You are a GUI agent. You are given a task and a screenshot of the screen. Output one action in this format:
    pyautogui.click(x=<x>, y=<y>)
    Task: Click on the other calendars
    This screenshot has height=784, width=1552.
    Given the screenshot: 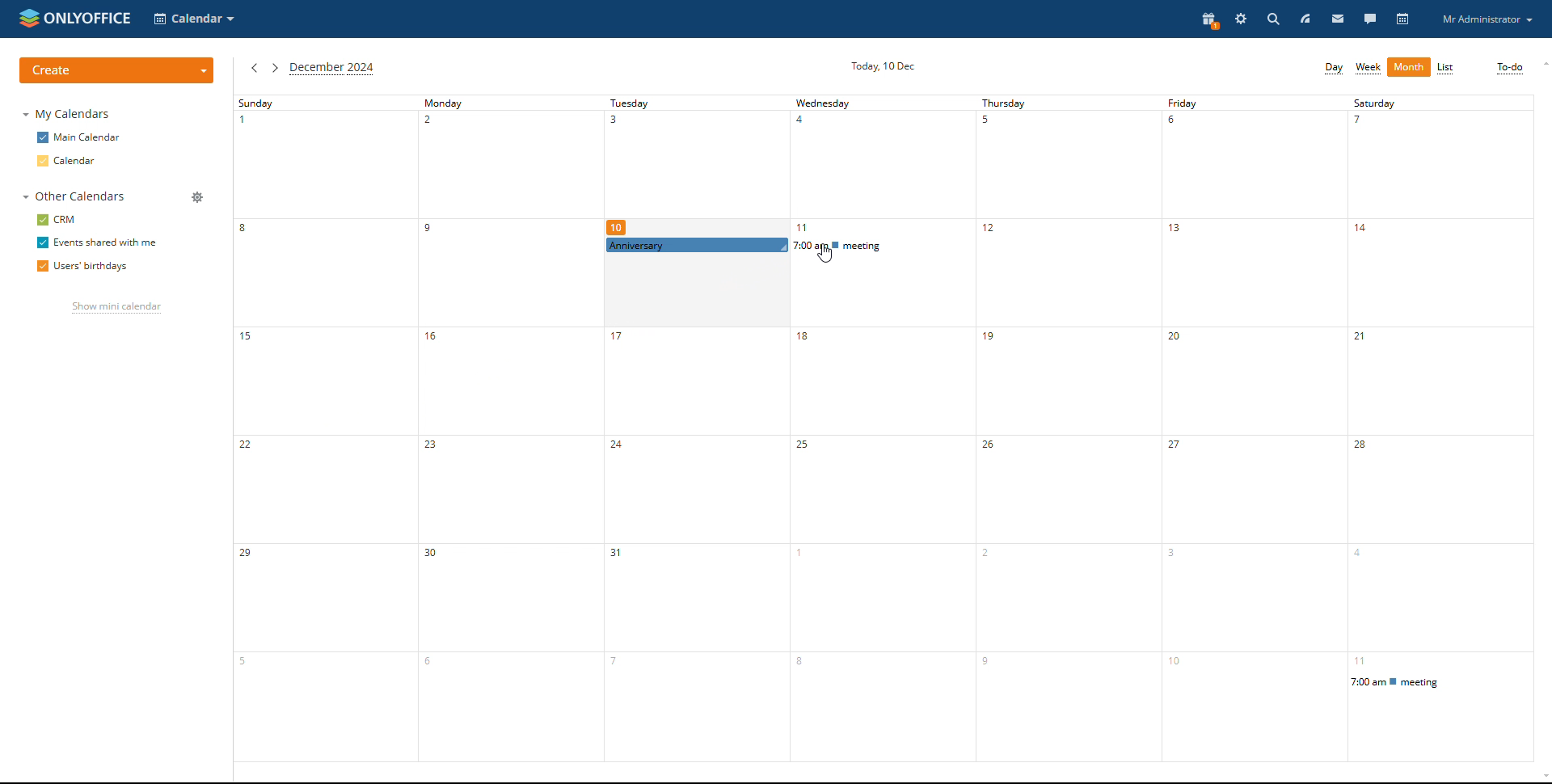 What is the action you would take?
    pyautogui.click(x=78, y=197)
    